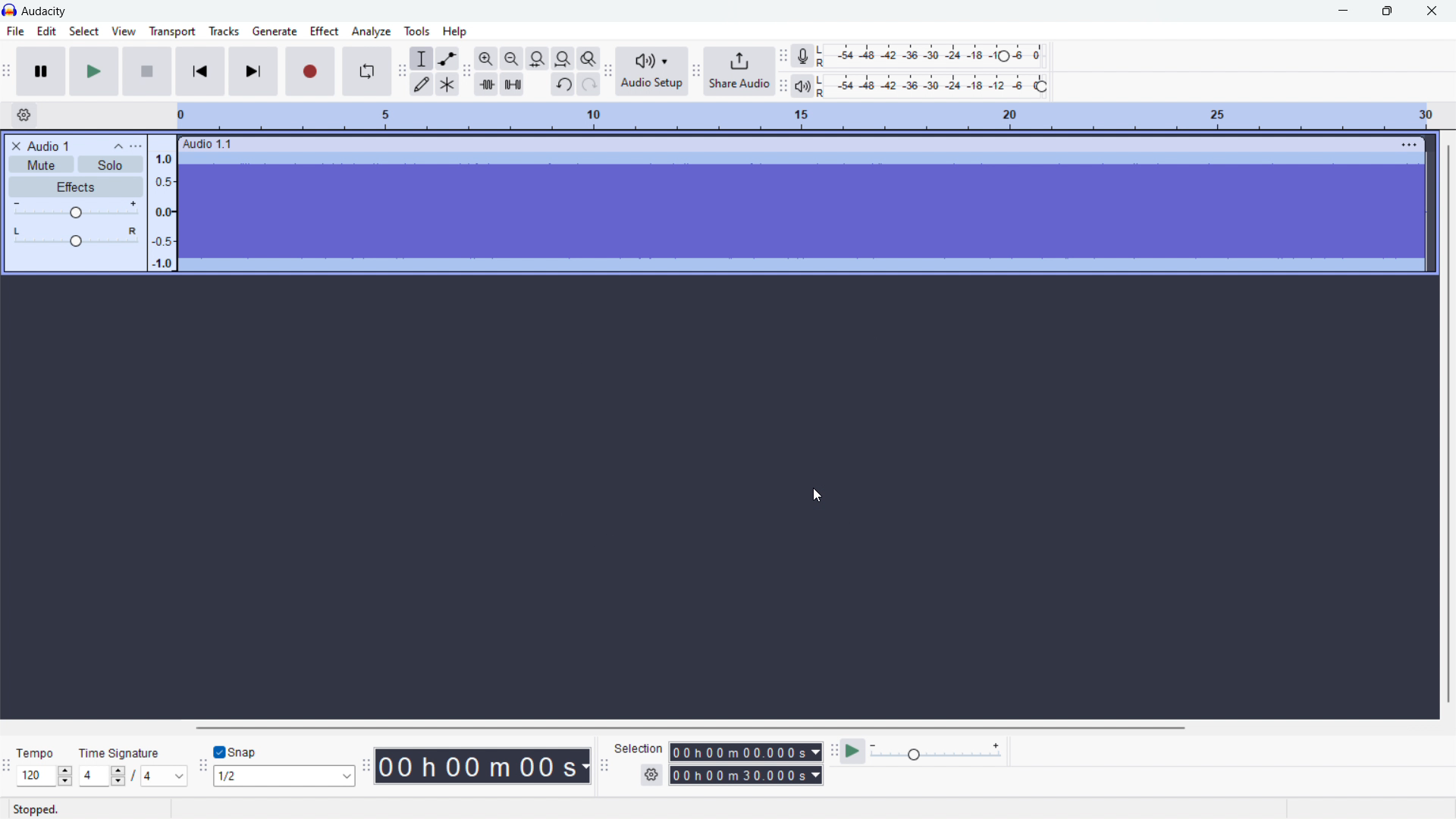 The height and width of the screenshot is (819, 1456). Describe the element at coordinates (802, 211) in the screenshot. I see `white noise track` at that location.